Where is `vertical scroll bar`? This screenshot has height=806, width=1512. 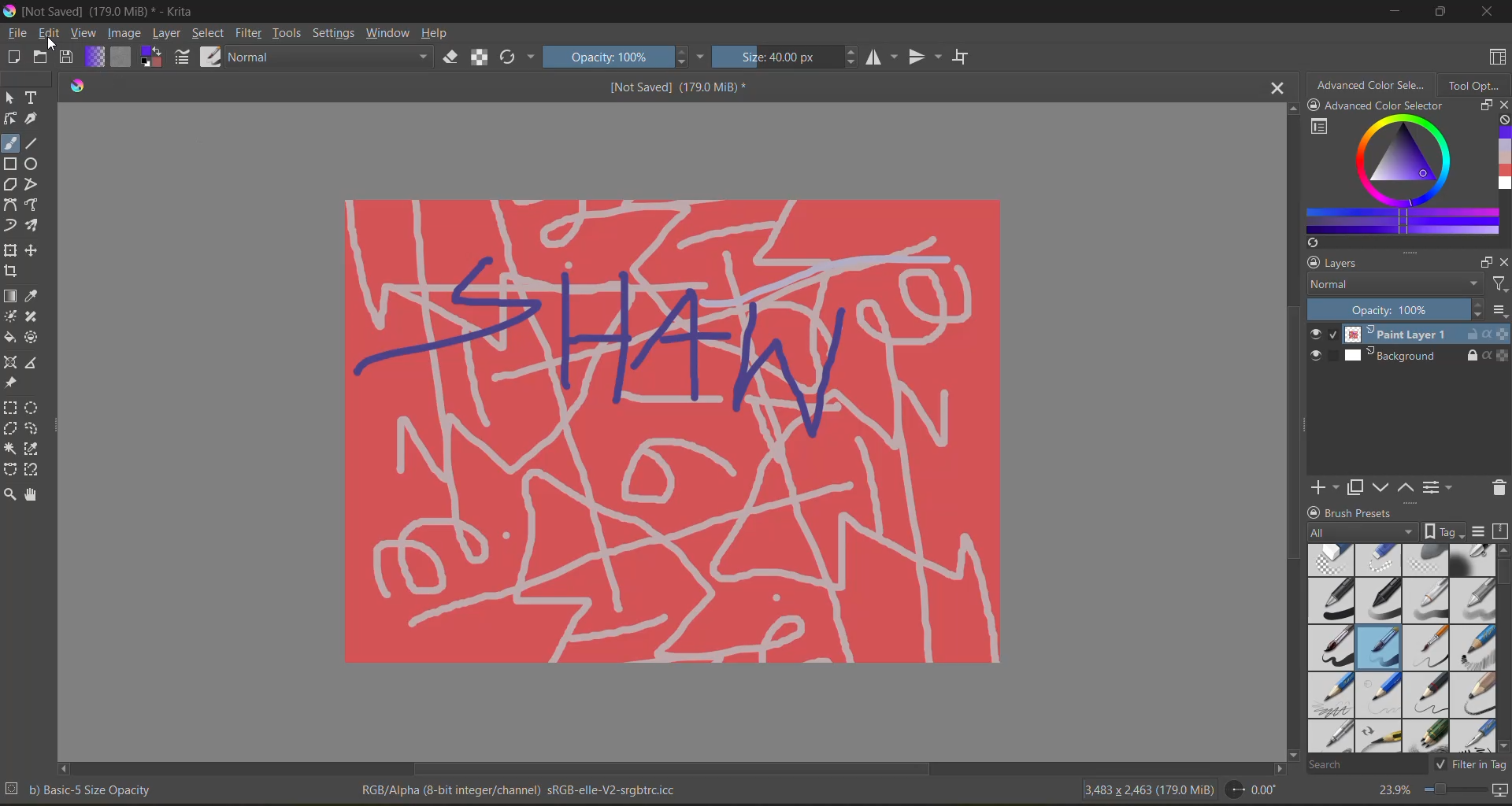 vertical scroll bar is located at coordinates (1503, 576).